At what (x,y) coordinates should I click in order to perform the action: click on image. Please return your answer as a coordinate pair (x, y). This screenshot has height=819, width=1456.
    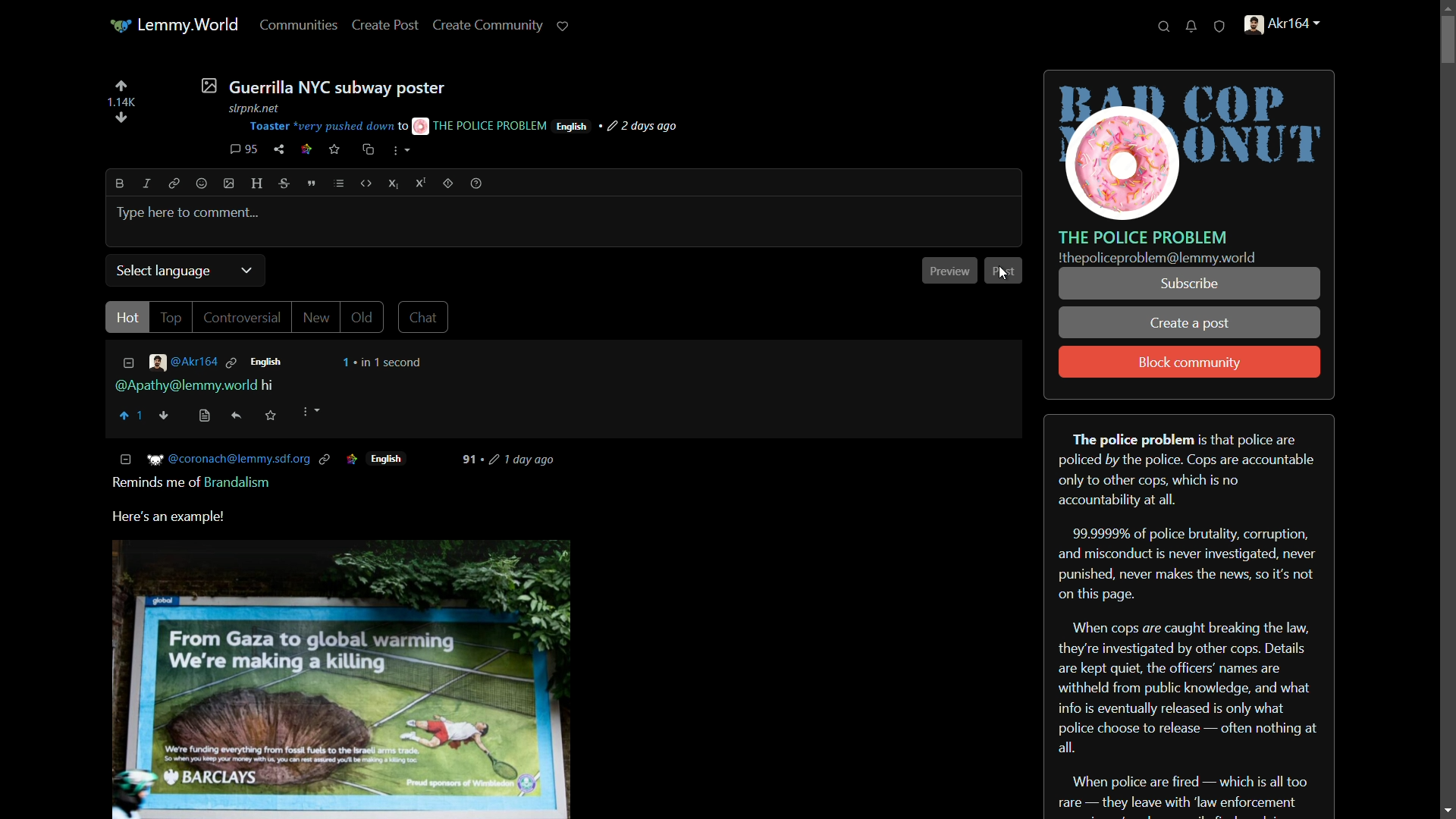
    Looking at the image, I should click on (230, 184).